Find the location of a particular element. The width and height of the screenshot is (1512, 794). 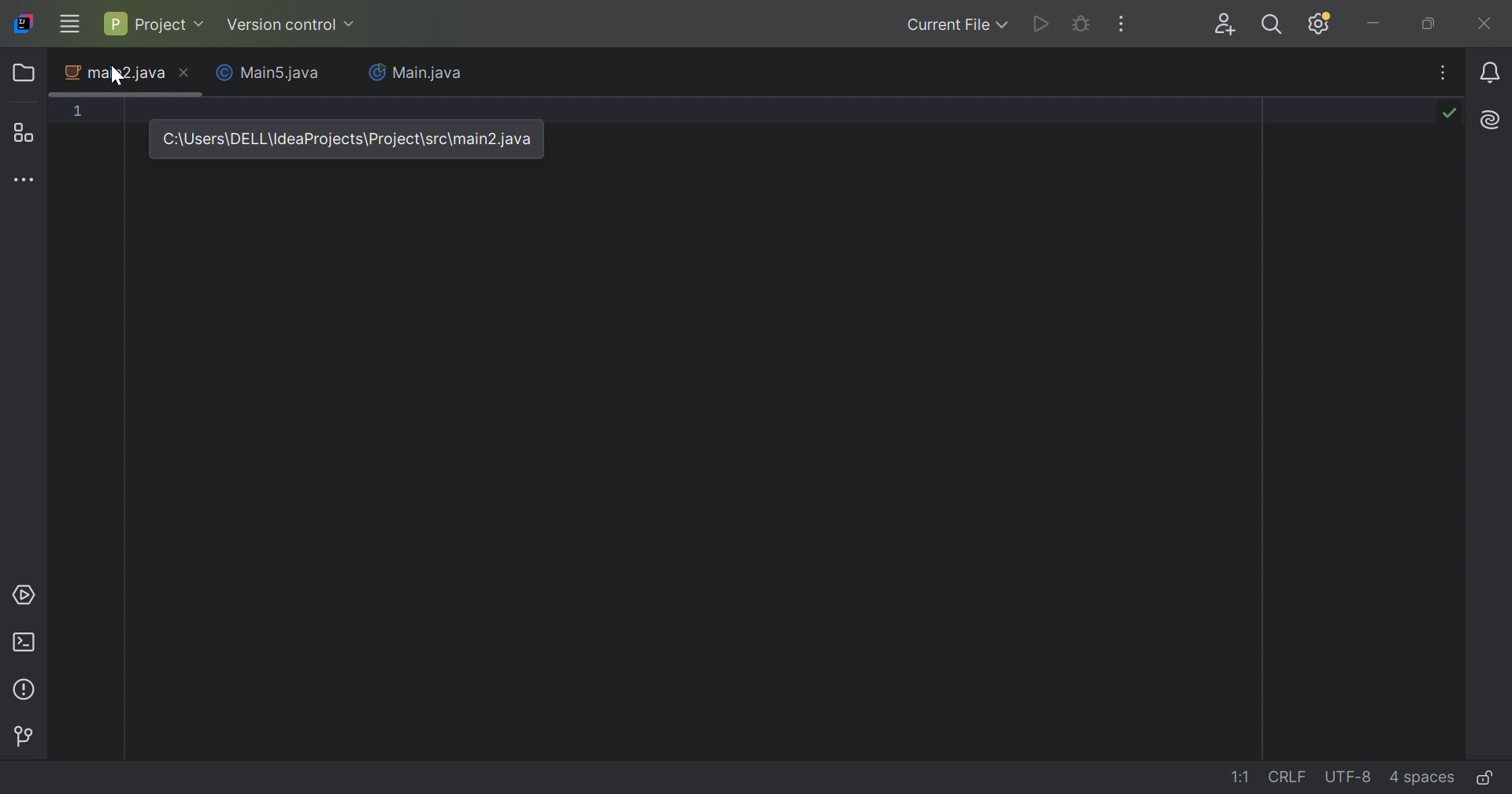

main2.java is located at coordinates (113, 73).